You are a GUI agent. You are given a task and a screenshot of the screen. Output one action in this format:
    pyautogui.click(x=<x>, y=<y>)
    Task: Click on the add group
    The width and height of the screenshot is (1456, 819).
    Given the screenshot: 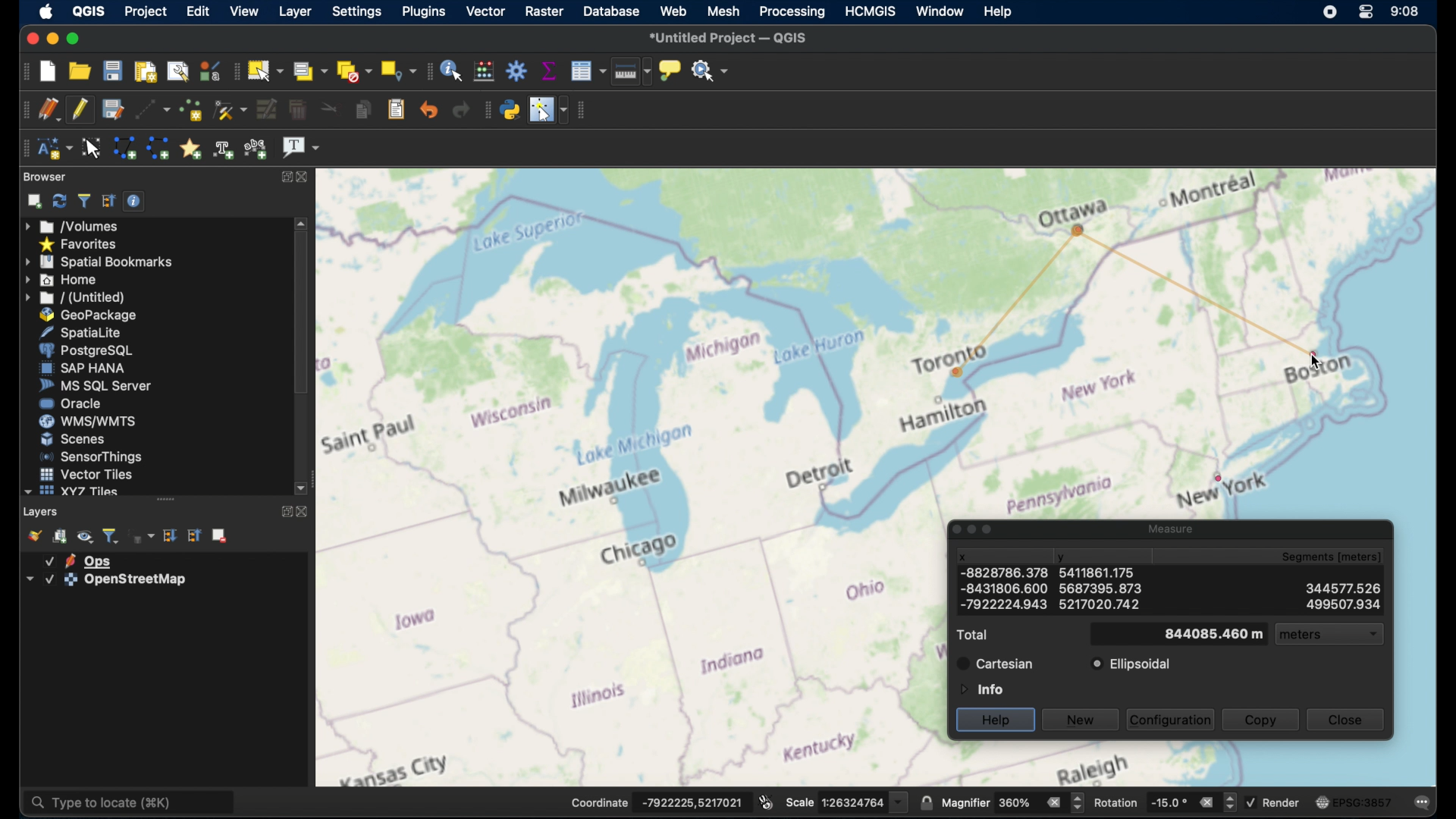 What is the action you would take?
    pyautogui.click(x=61, y=536)
    